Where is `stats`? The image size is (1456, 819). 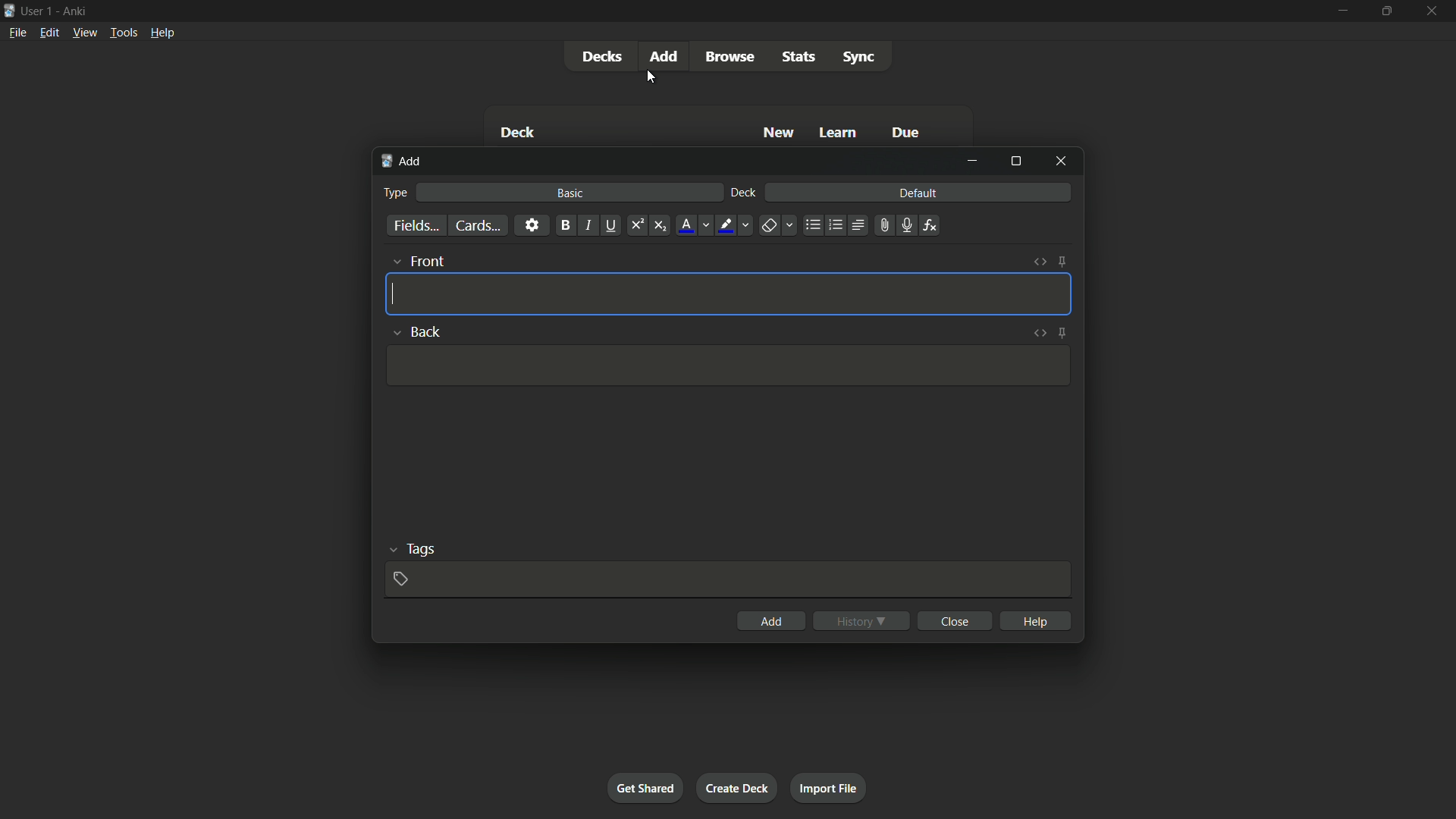 stats is located at coordinates (800, 57).